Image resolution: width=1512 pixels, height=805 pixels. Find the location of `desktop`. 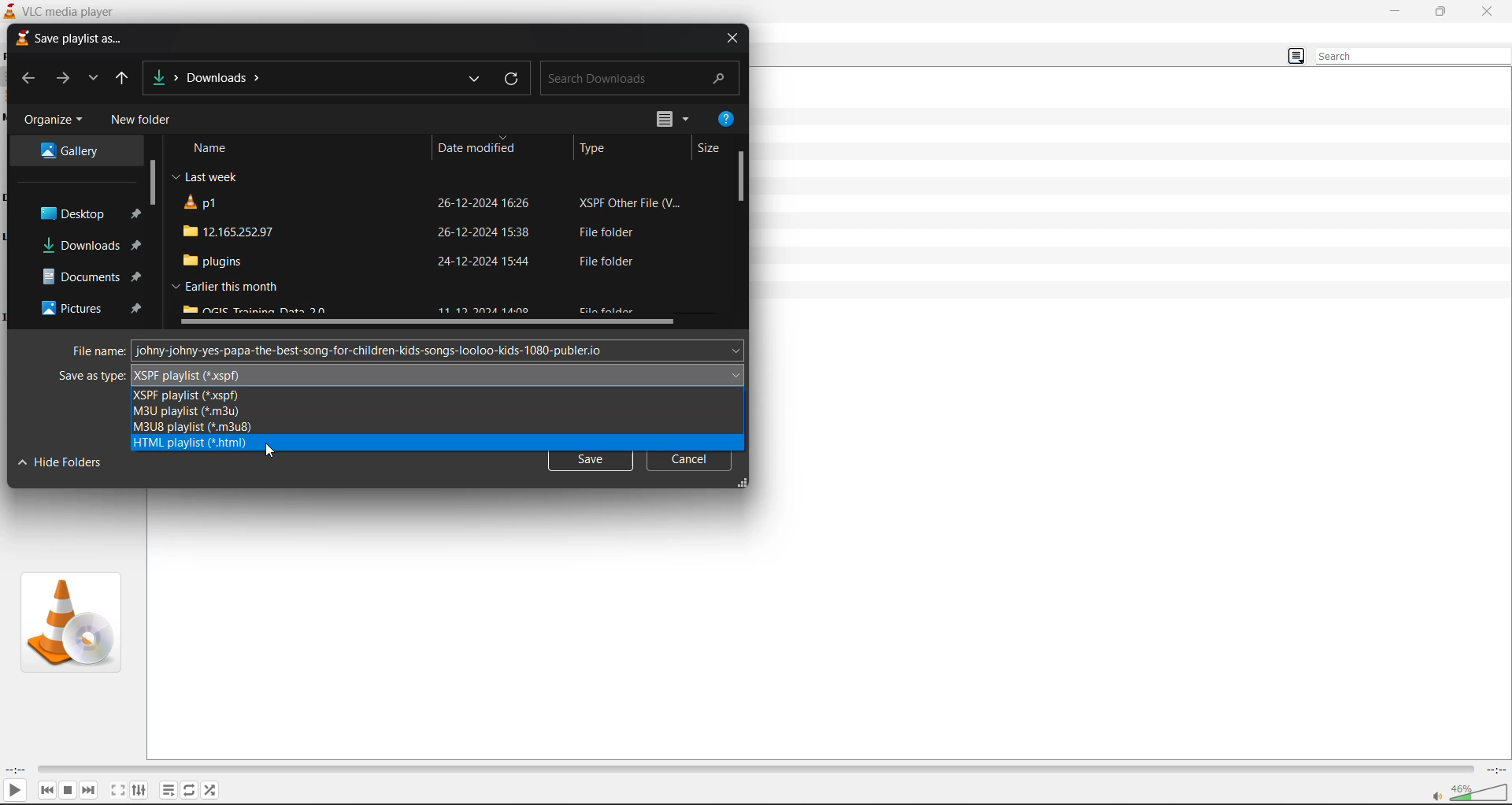

desktop is located at coordinates (80, 214).